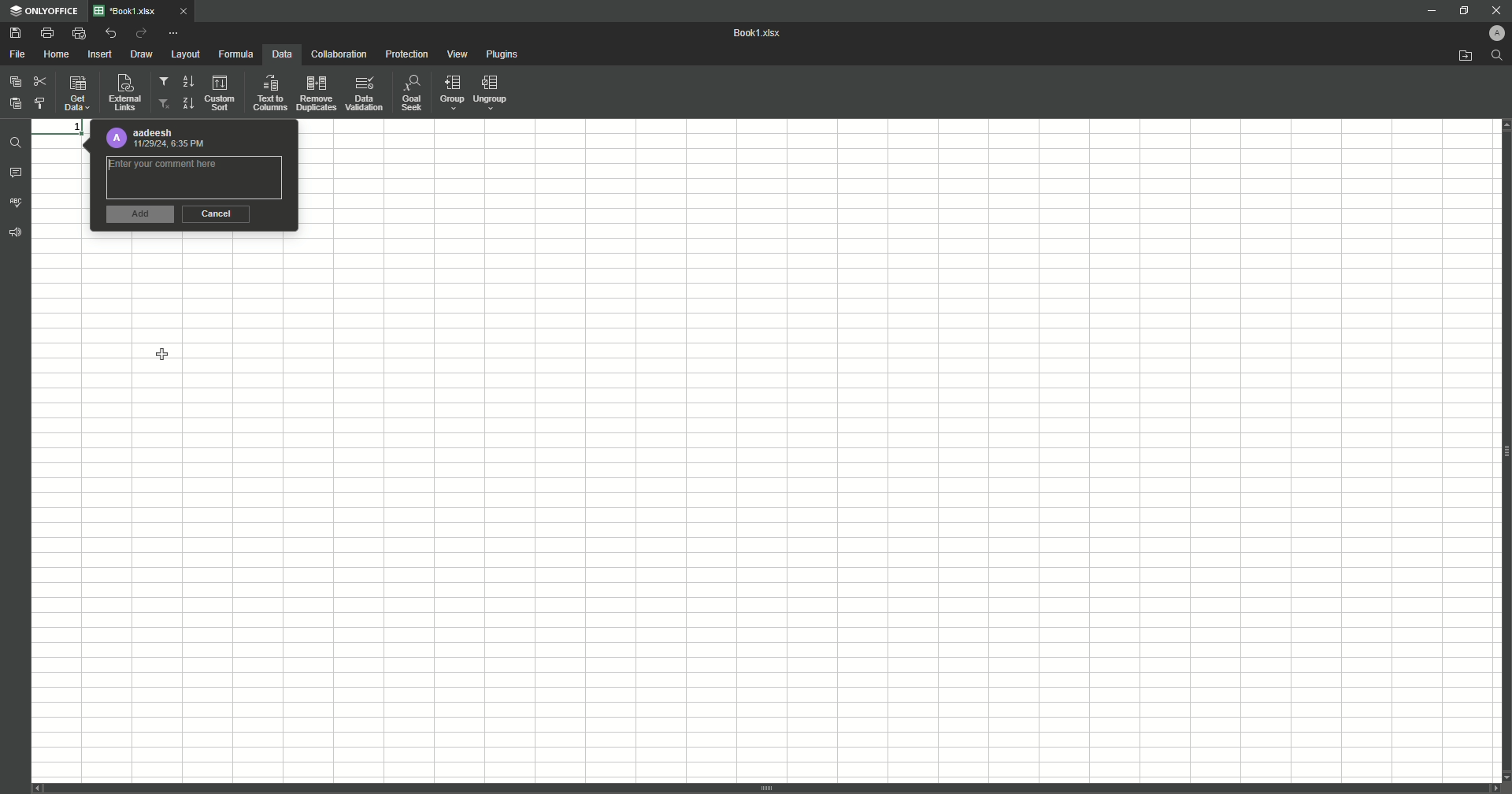  What do you see at coordinates (123, 92) in the screenshot?
I see `External Links` at bounding box center [123, 92].